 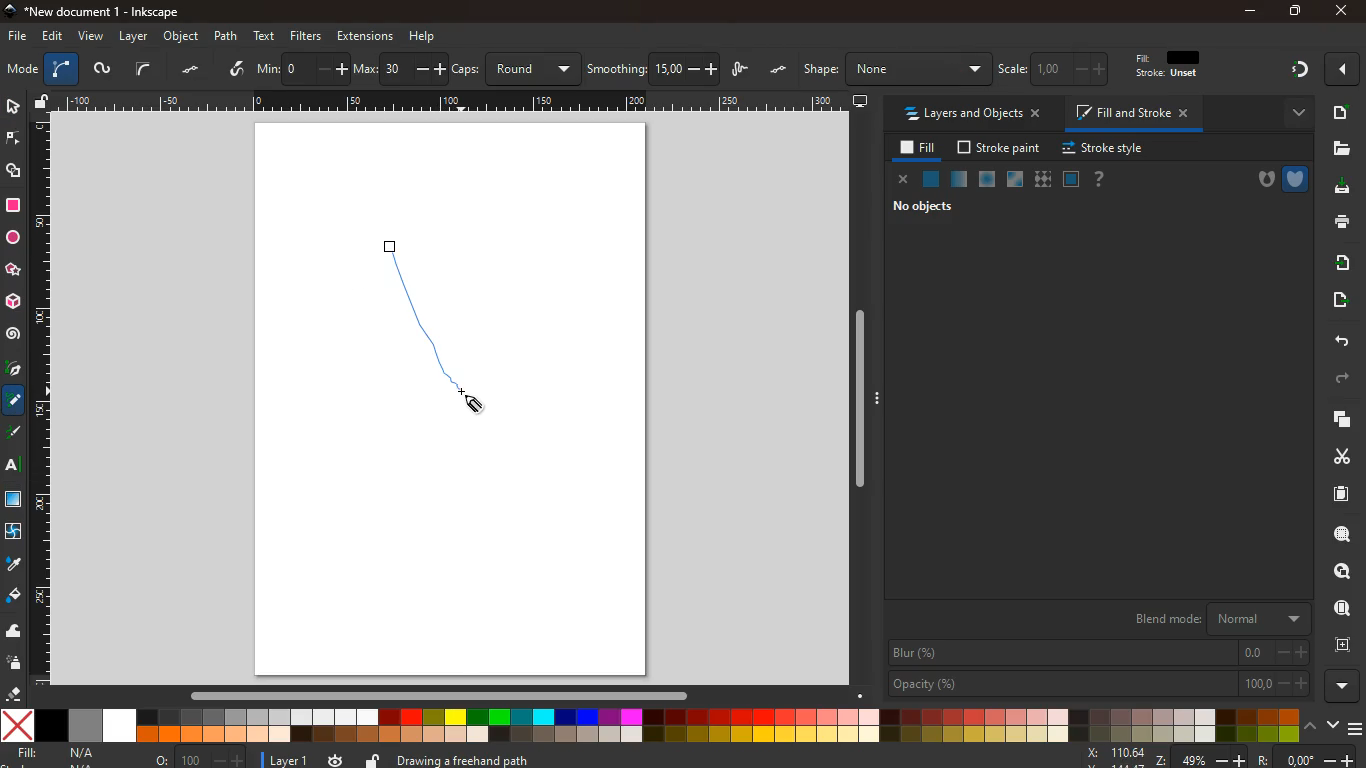 What do you see at coordinates (1333, 723) in the screenshot?
I see `down` at bounding box center [1333, 723].